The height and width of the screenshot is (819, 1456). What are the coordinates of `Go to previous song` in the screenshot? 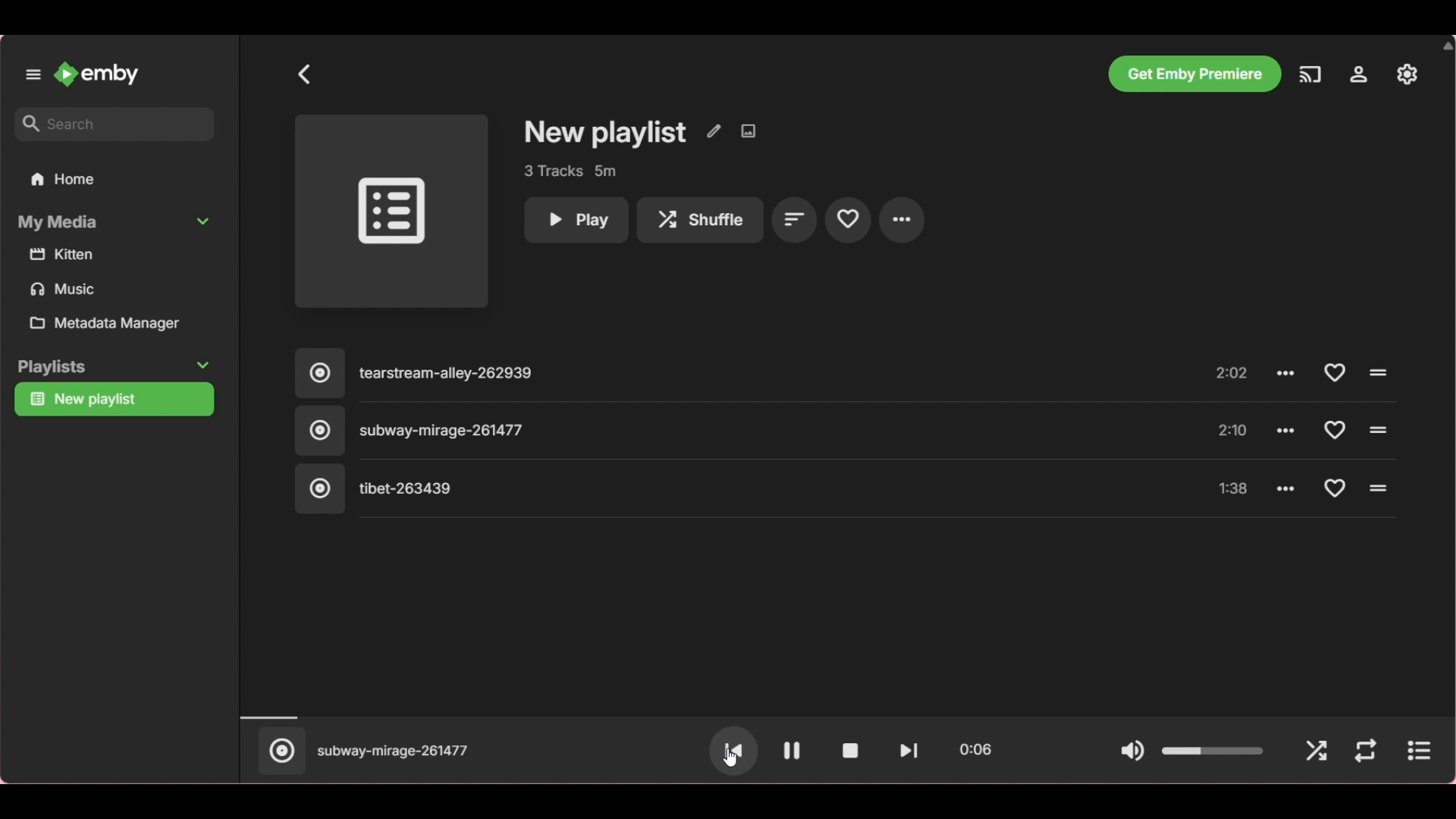 It's located at (733, 752).